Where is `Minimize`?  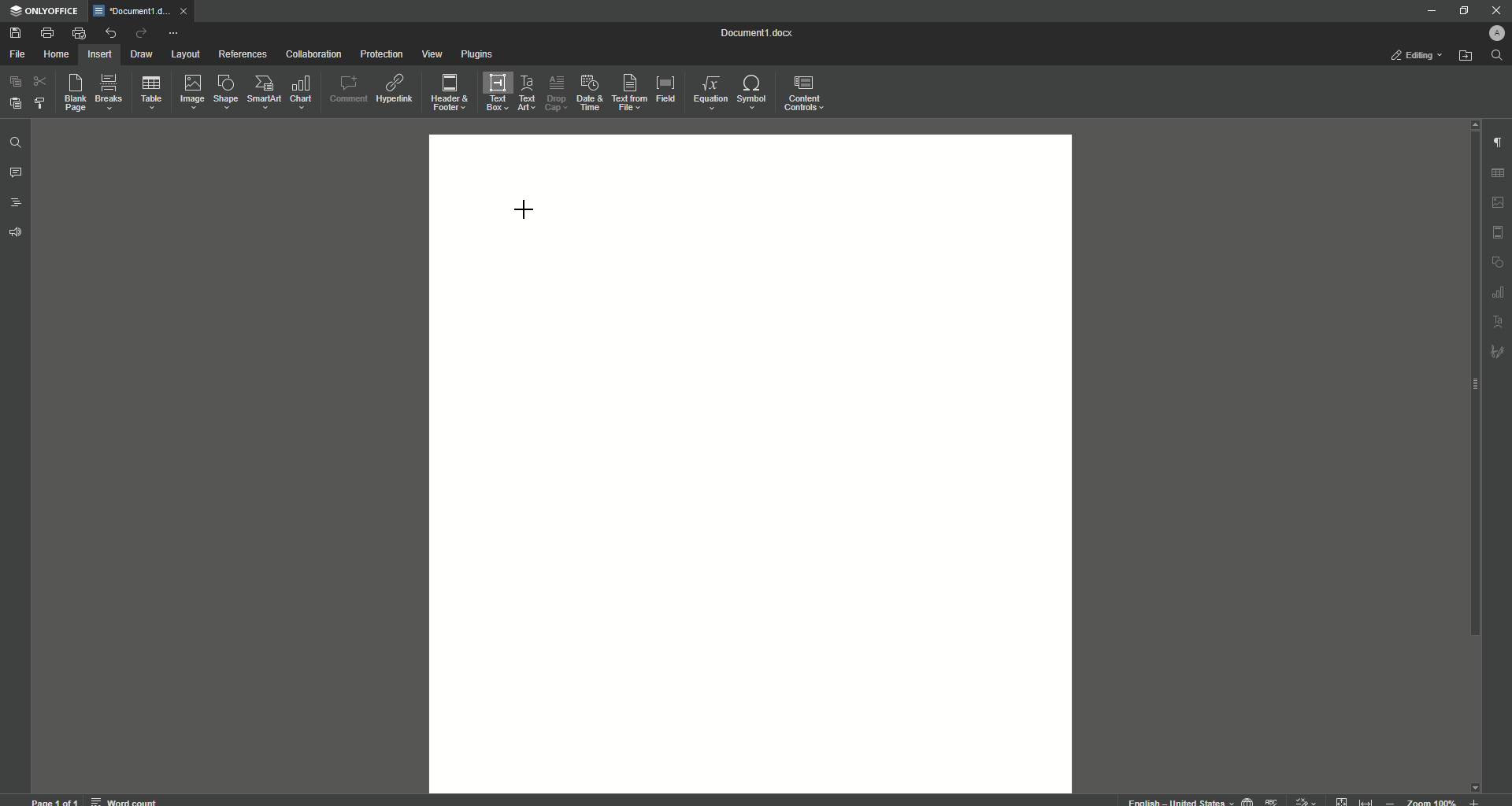 Minimize is located at coordinates (1427, 10).